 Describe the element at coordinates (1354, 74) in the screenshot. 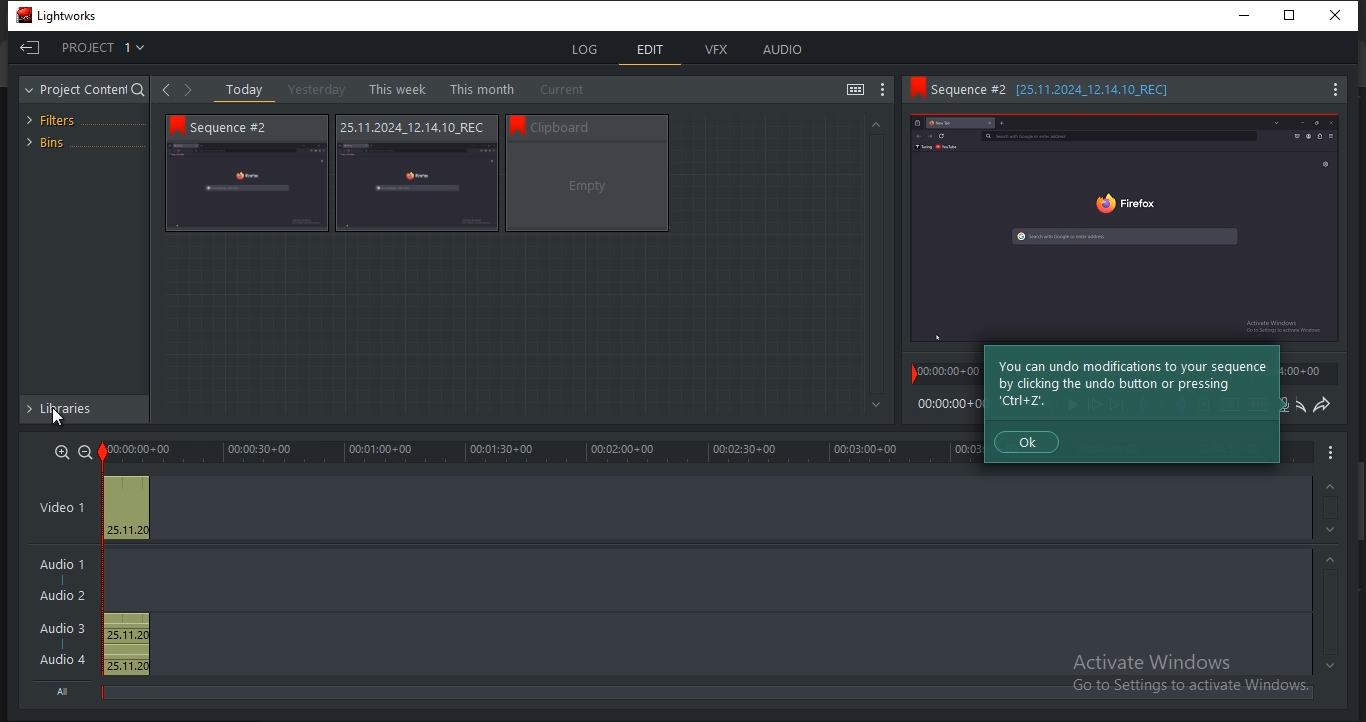

I see `Scroll bar` at that location.